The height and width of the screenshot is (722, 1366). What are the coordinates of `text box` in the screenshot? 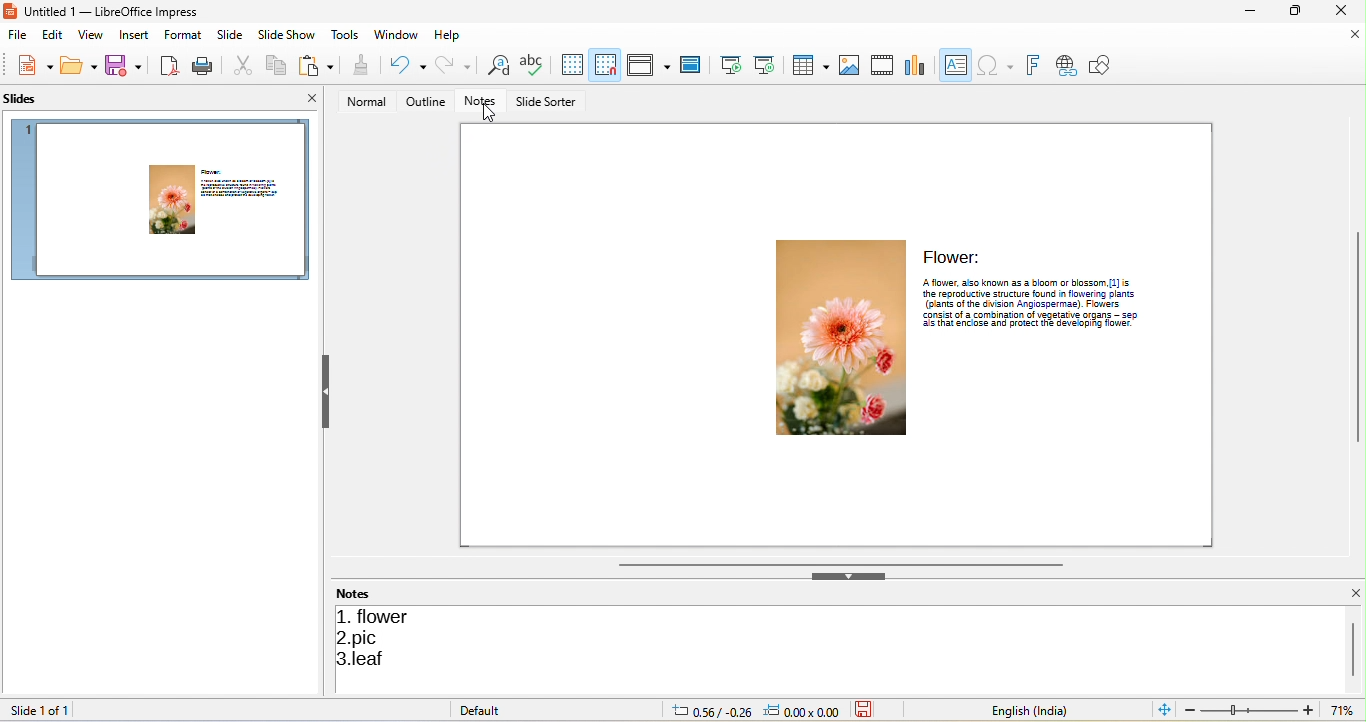 It's located at (954, 64).